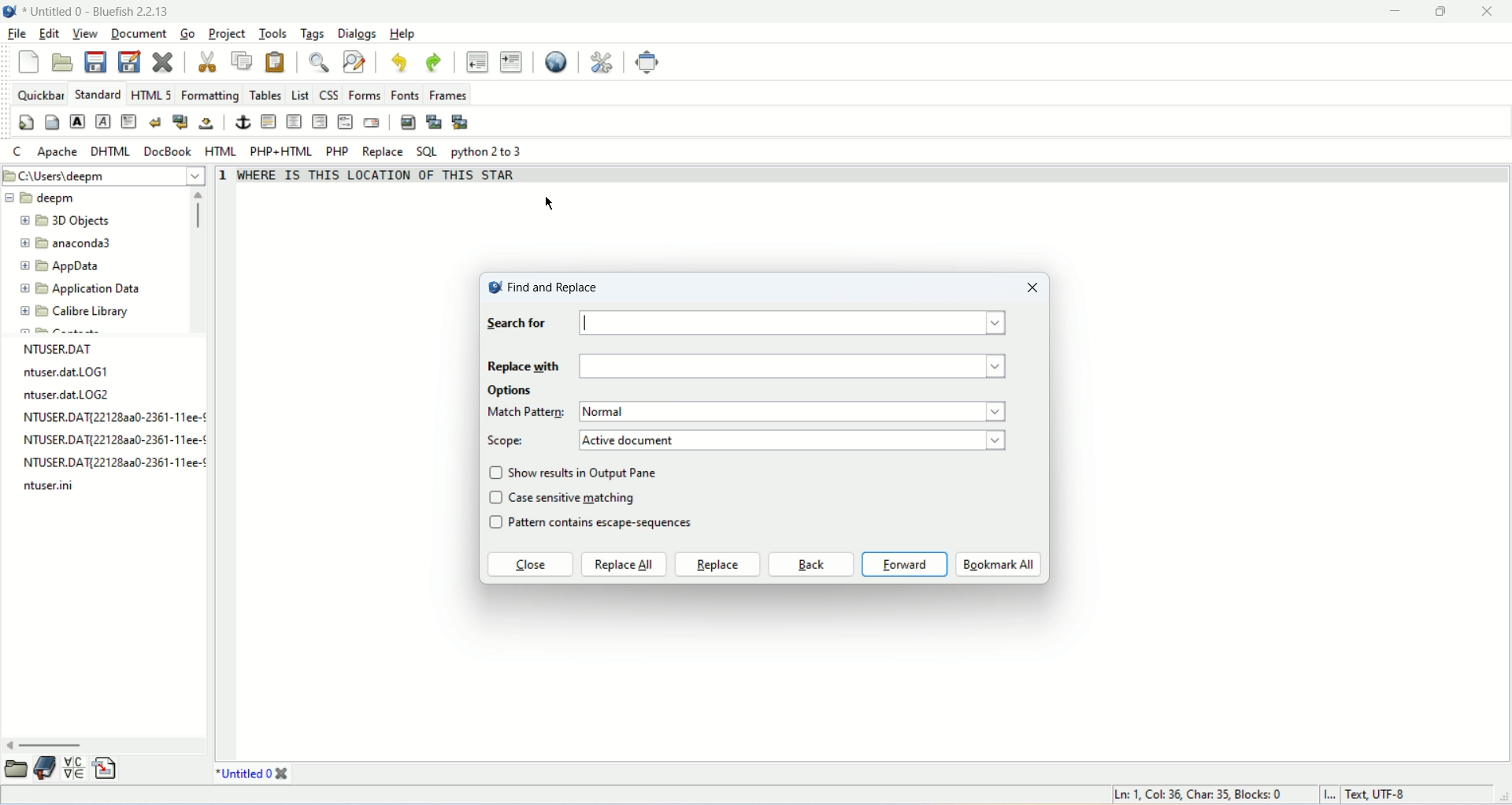  I want to click on document, so click(141, 33).